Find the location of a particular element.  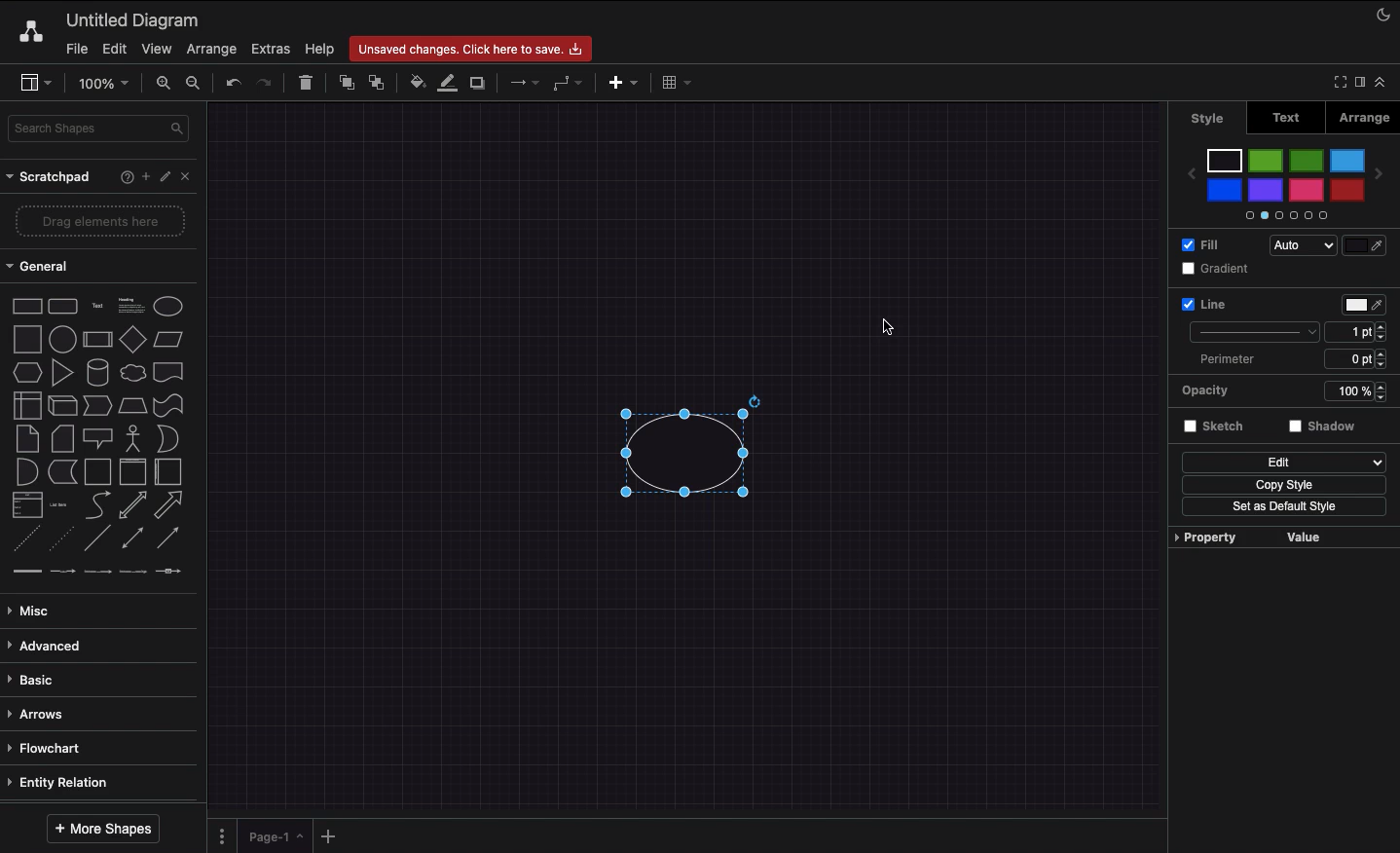

Dotted line is located at coordinates (61, 540).